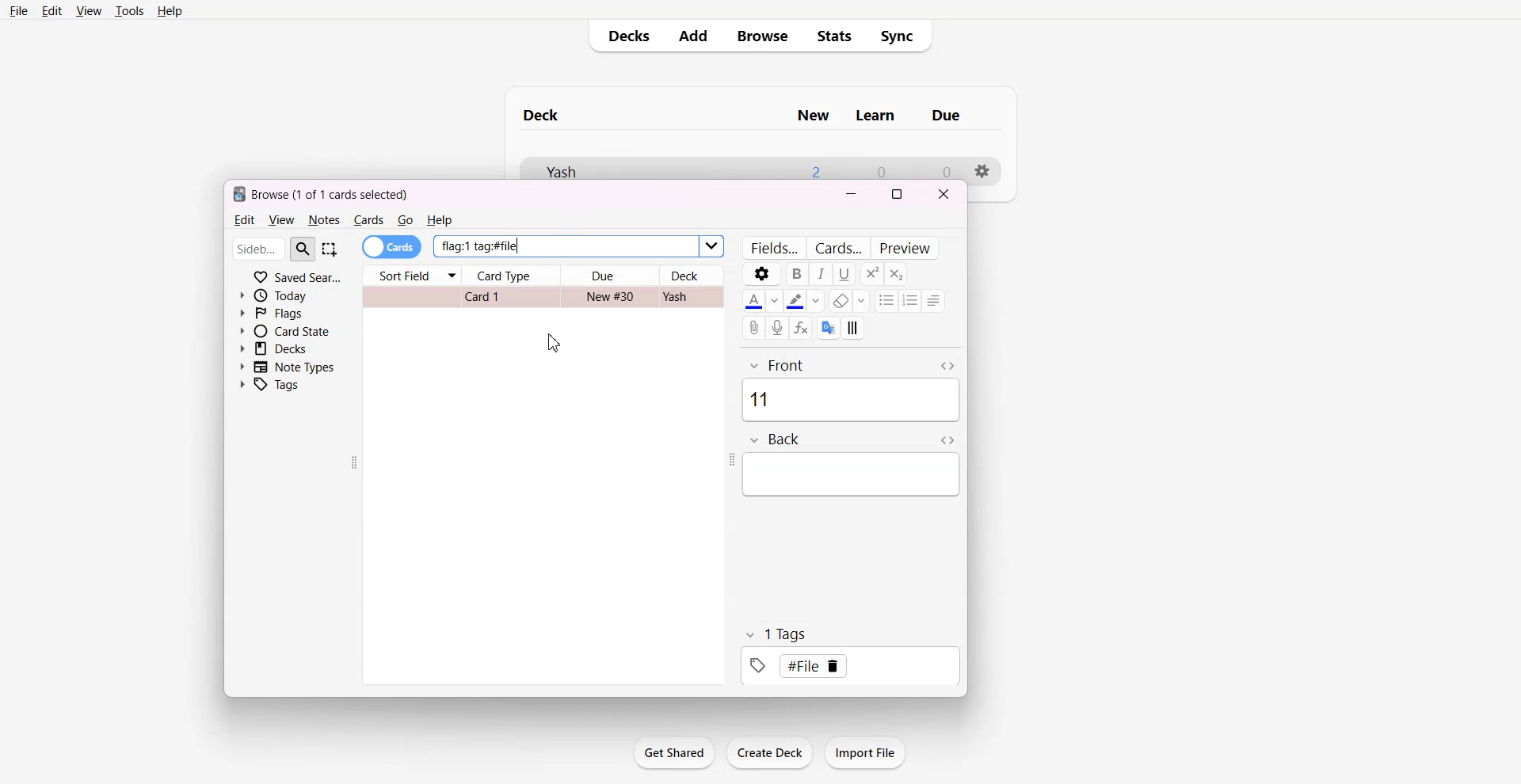 This screenshot has height=784, width=1521. Describe the element at coordinates (357, 464) in the screenshot. I see `Drag Handle` at that location.